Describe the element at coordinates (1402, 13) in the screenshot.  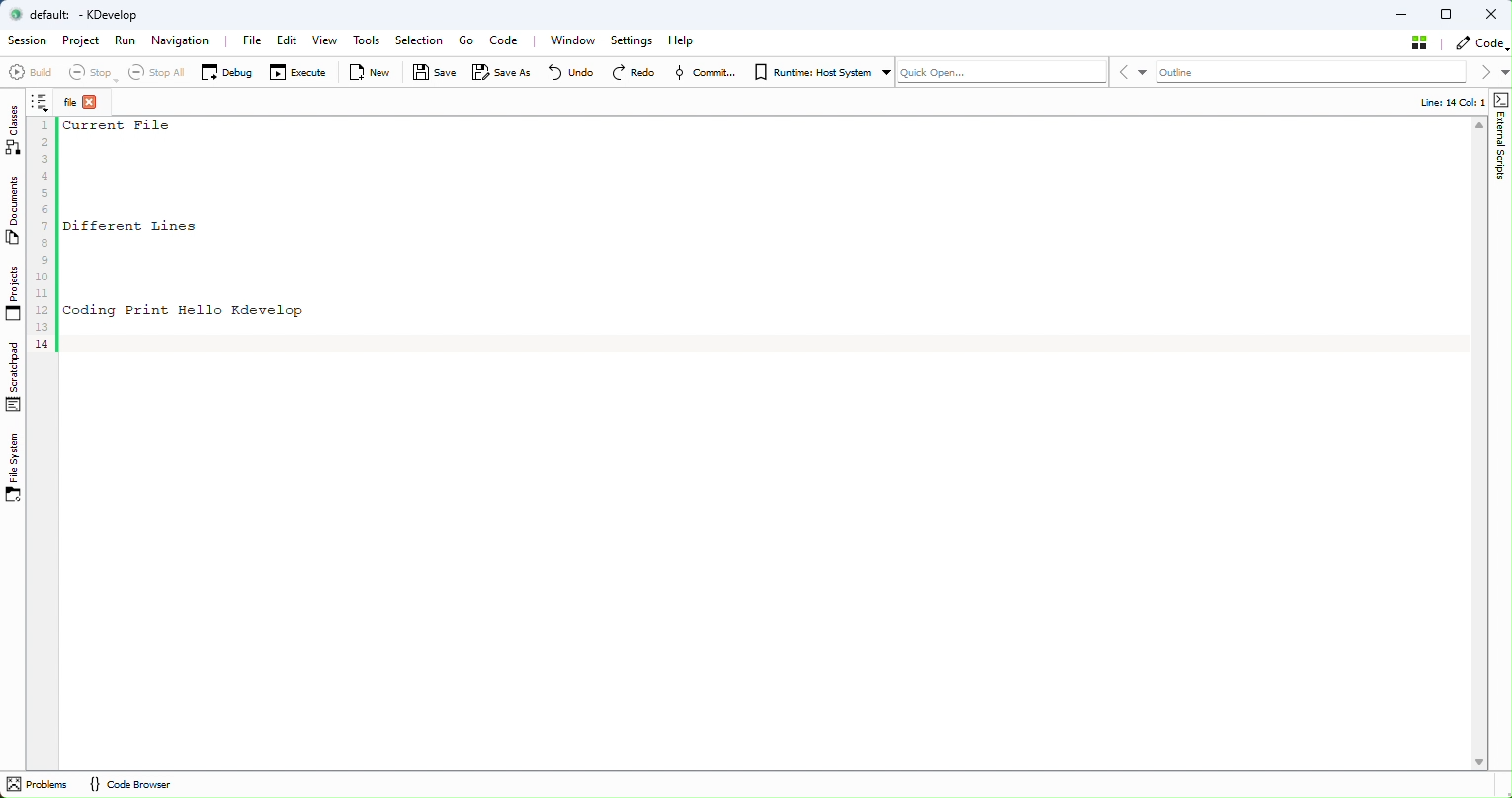
I see `Minimize` at that location.